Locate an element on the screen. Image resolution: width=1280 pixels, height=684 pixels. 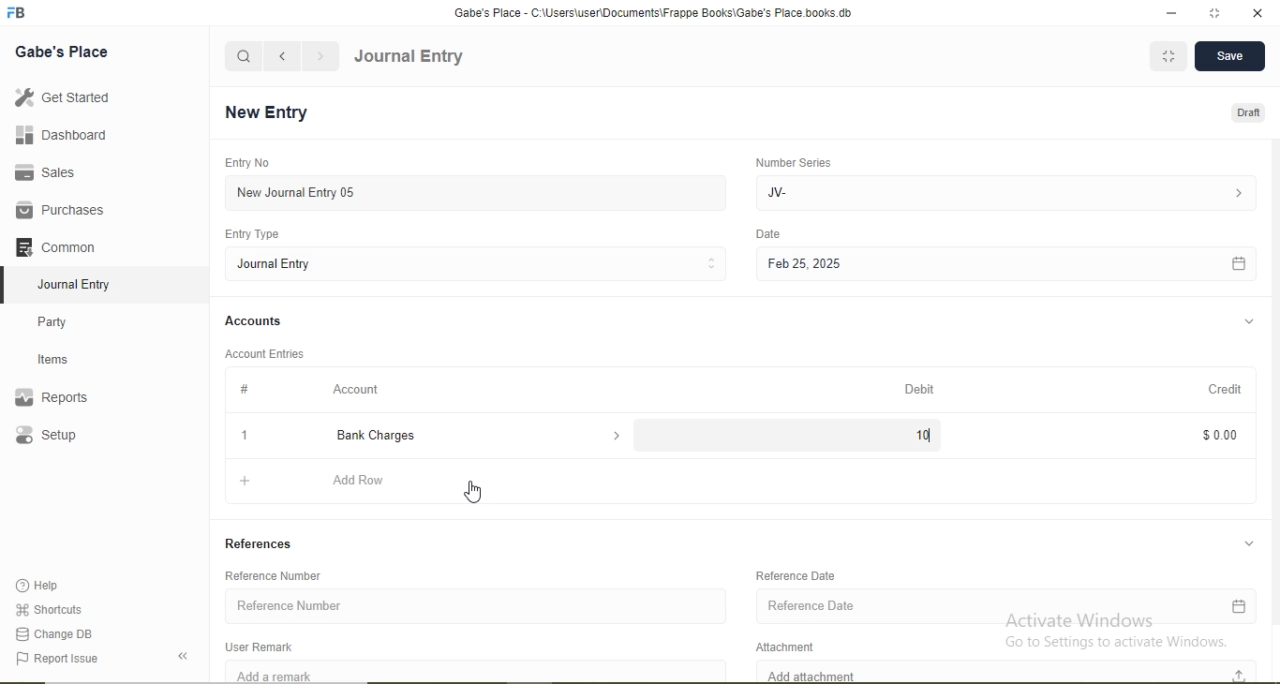
Sales is located at coordinates (54, 172).